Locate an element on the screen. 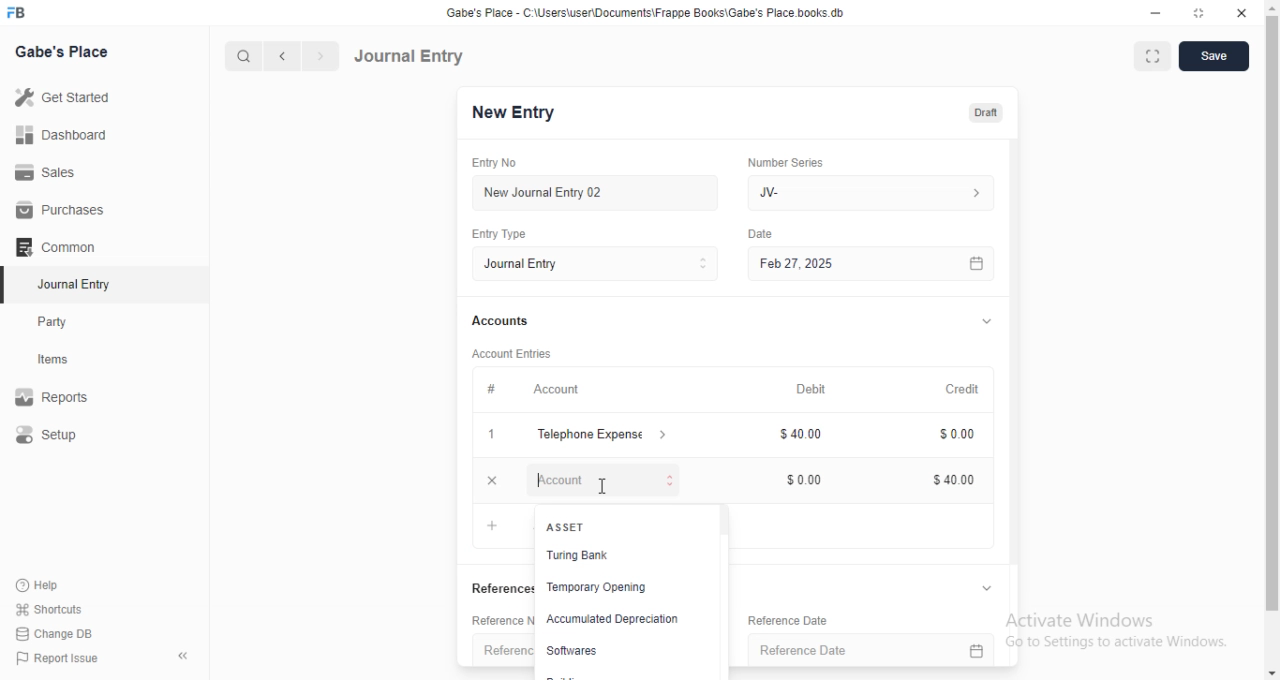  Search is located at coordinates (239, 56).